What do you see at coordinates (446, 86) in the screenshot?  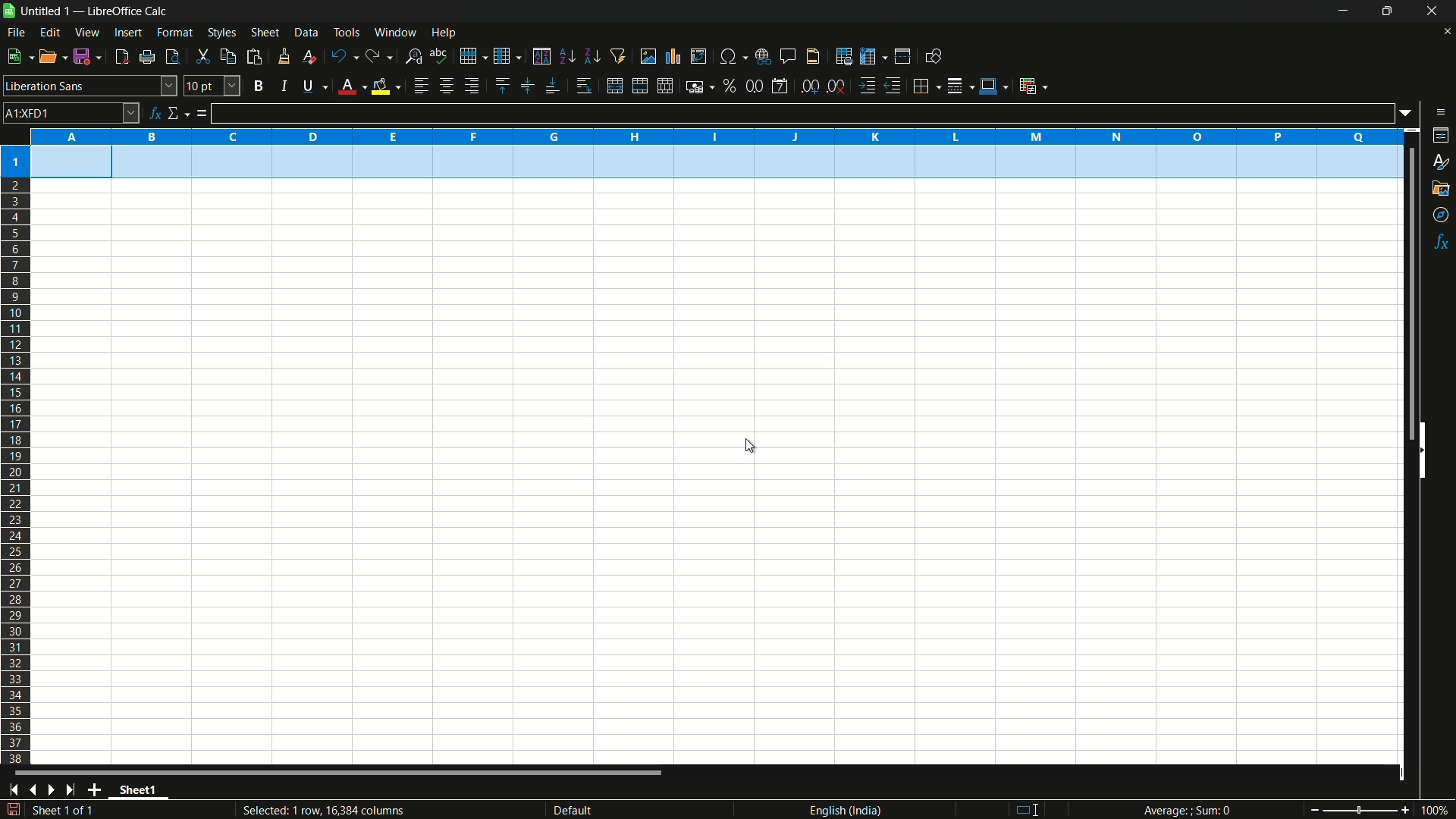 I see `align center` at bounding box center [446, 86].